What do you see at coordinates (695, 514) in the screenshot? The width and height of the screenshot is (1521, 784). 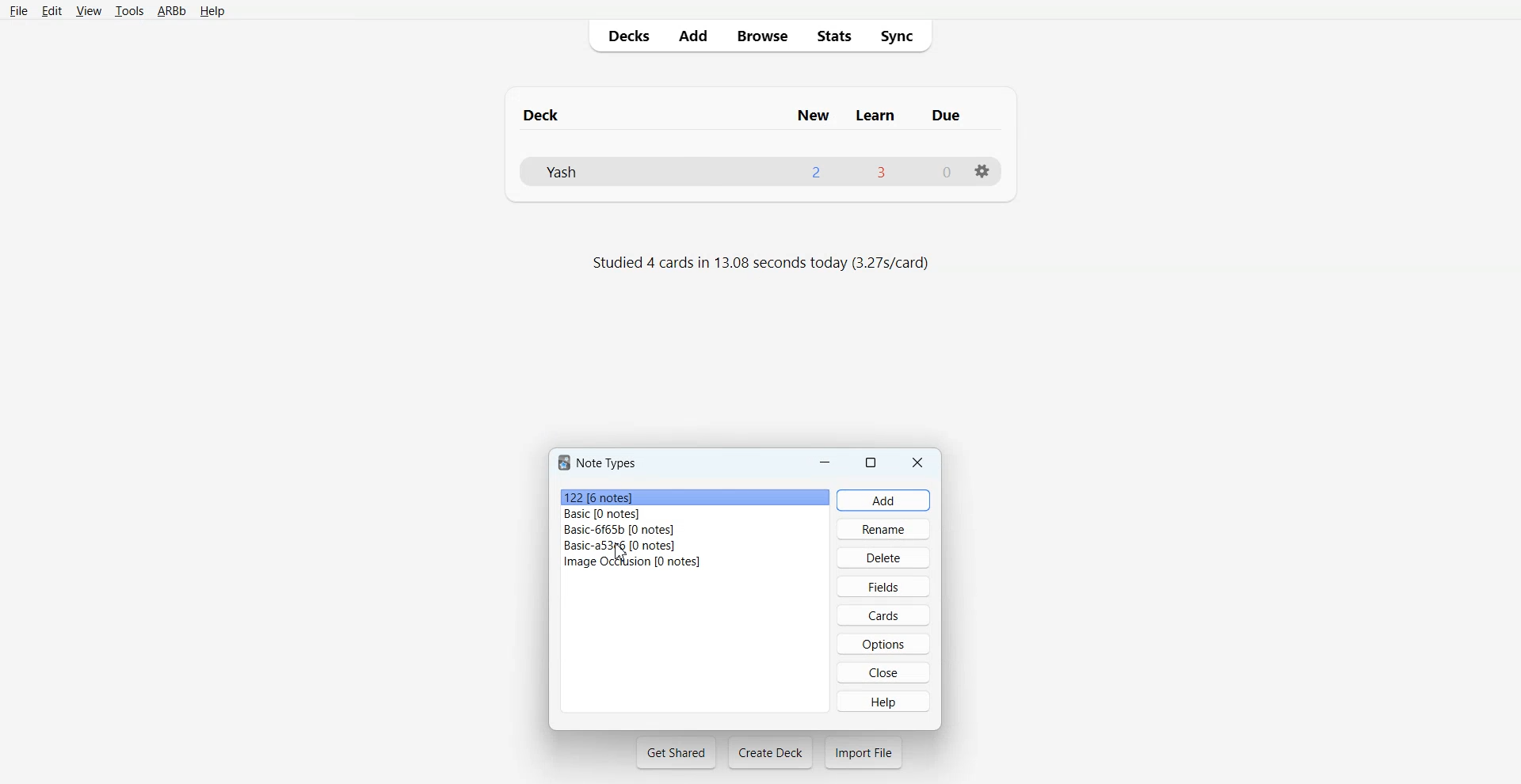 I see `FileBasic[0 notes]` at bounding box center [695, 514].